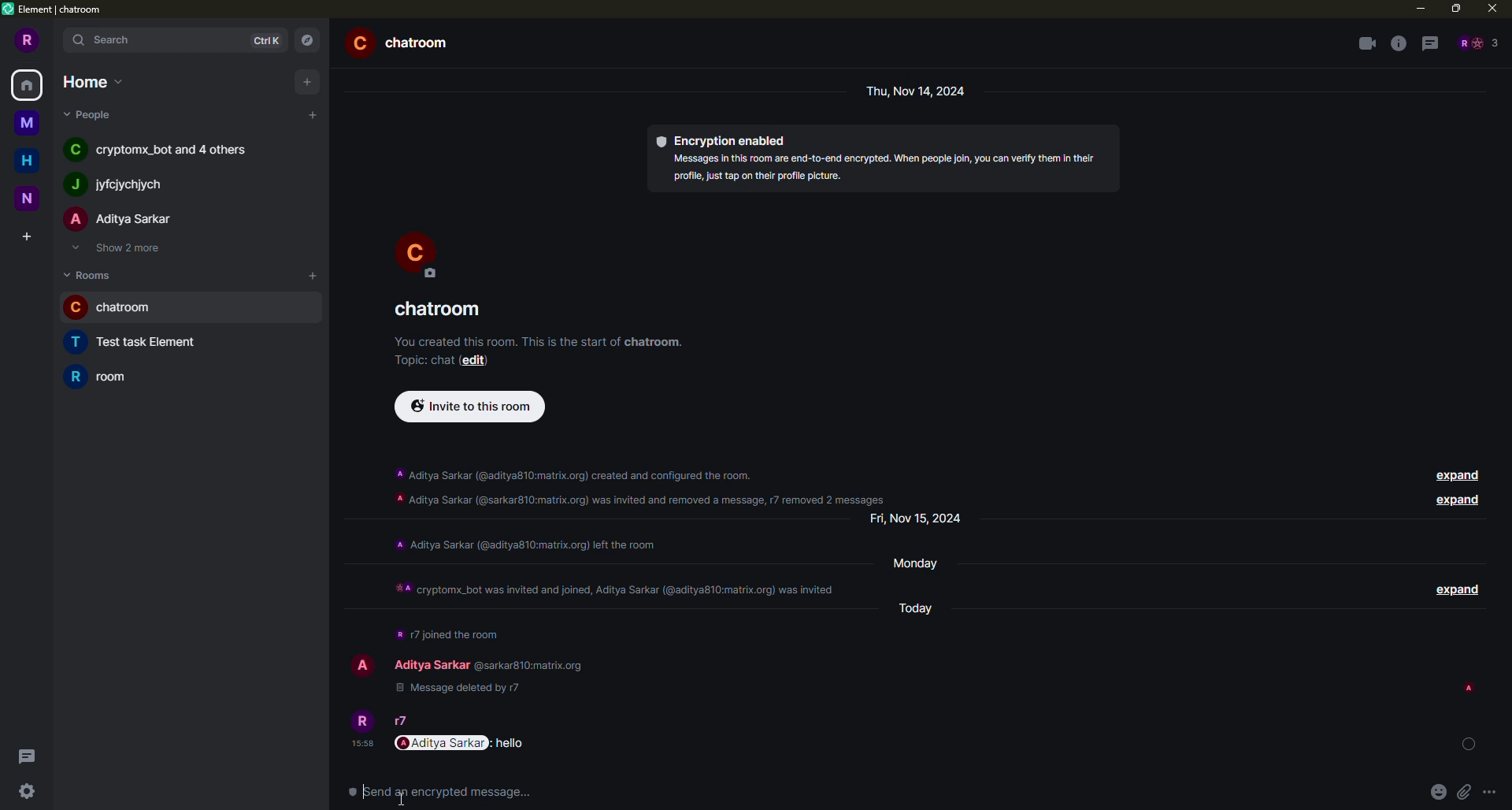 This screenshot has height=810, width=1512. What do you see at coordinates (1439, 793) in the screenshot?
I see `attach` at bounding box center [1439, 793].